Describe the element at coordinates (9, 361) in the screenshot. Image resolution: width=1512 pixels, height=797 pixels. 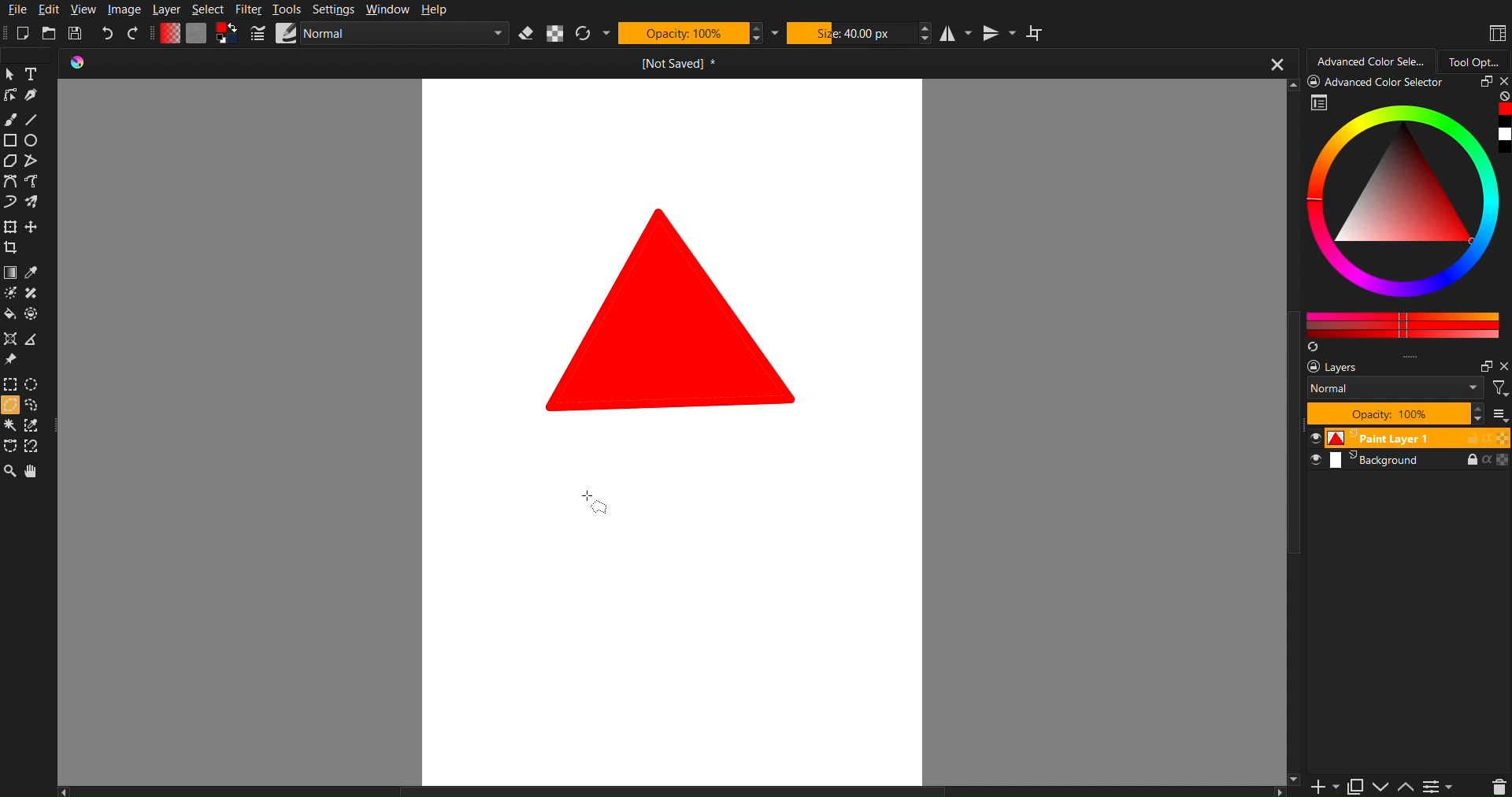
I see `Pin` at that location.